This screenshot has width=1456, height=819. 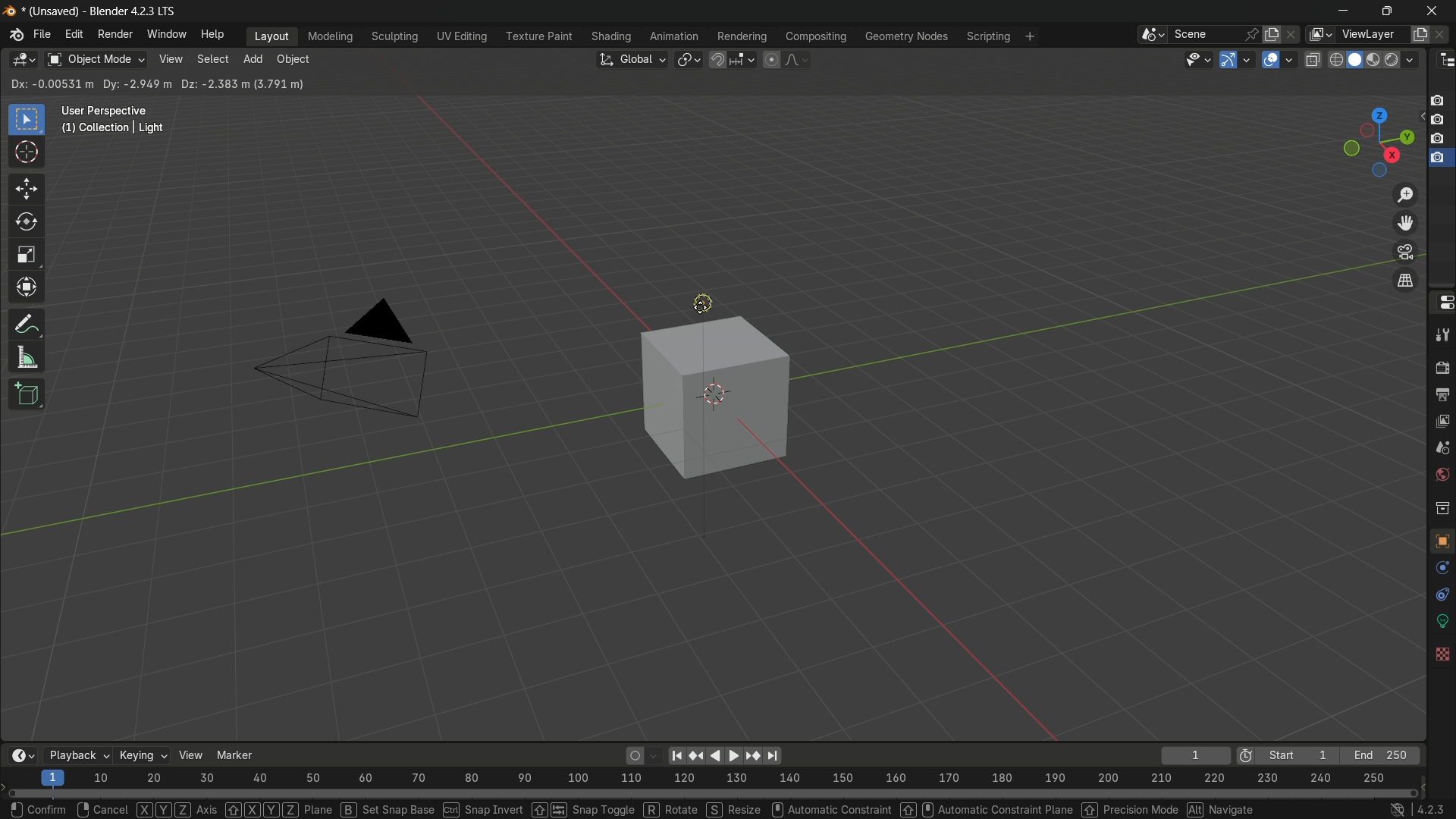 I want to click on edit menu, so click(x=73, y=35).